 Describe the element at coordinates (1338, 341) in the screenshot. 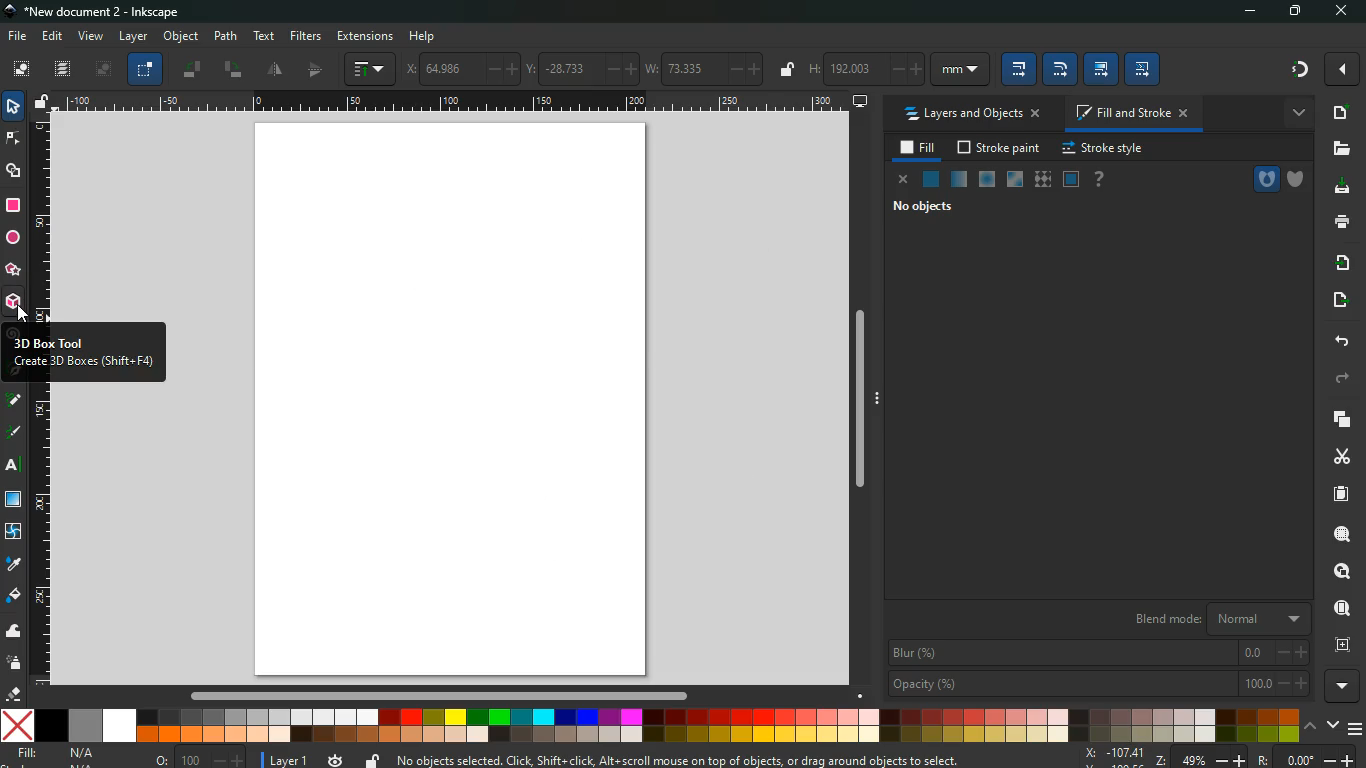

I see `back` at that location.